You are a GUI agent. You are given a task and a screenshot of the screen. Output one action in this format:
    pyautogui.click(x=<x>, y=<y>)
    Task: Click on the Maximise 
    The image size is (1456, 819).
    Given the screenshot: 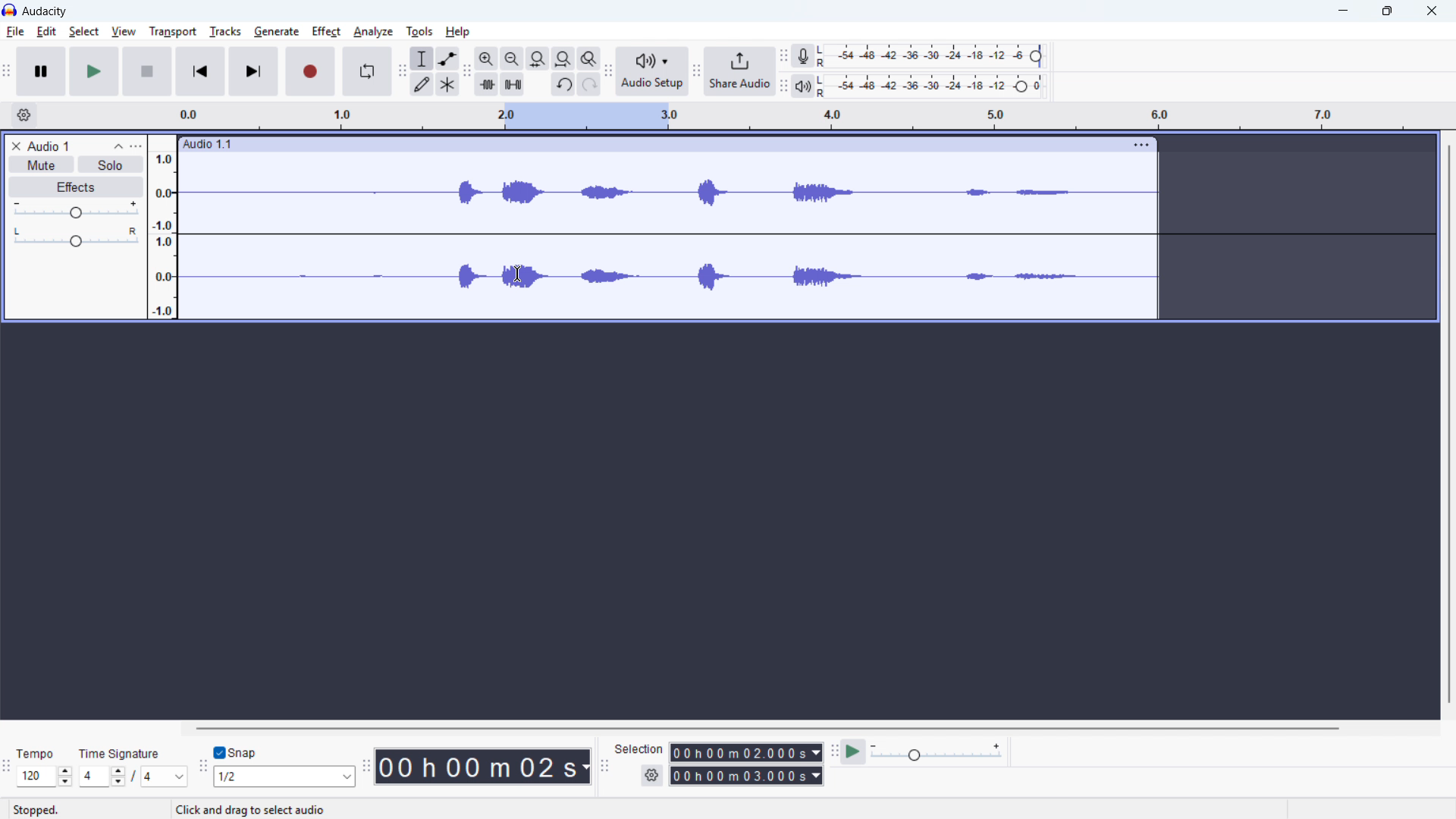 What is the action you would take?
    pyautogui.click(x=1388, y=11)
    